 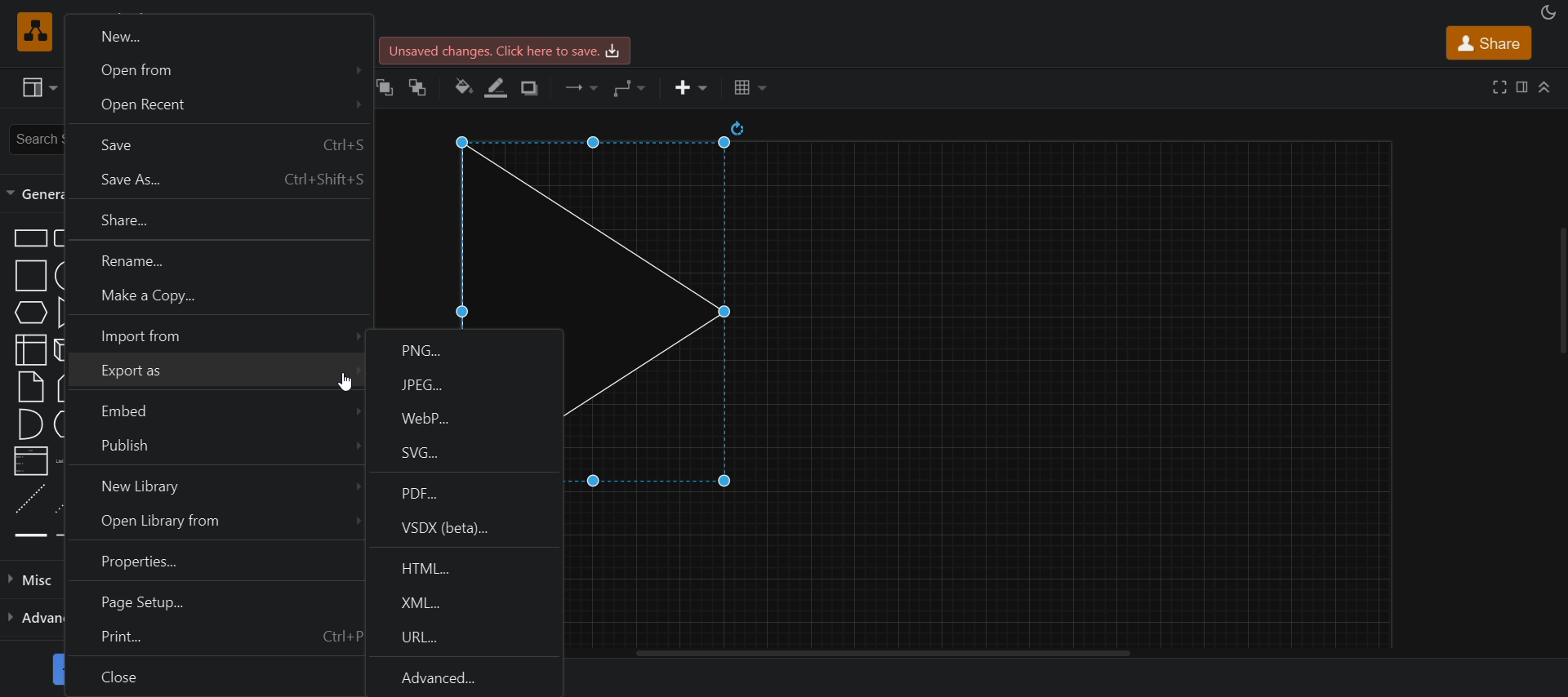 I want to click on advanced, so click(x=466, y=677).